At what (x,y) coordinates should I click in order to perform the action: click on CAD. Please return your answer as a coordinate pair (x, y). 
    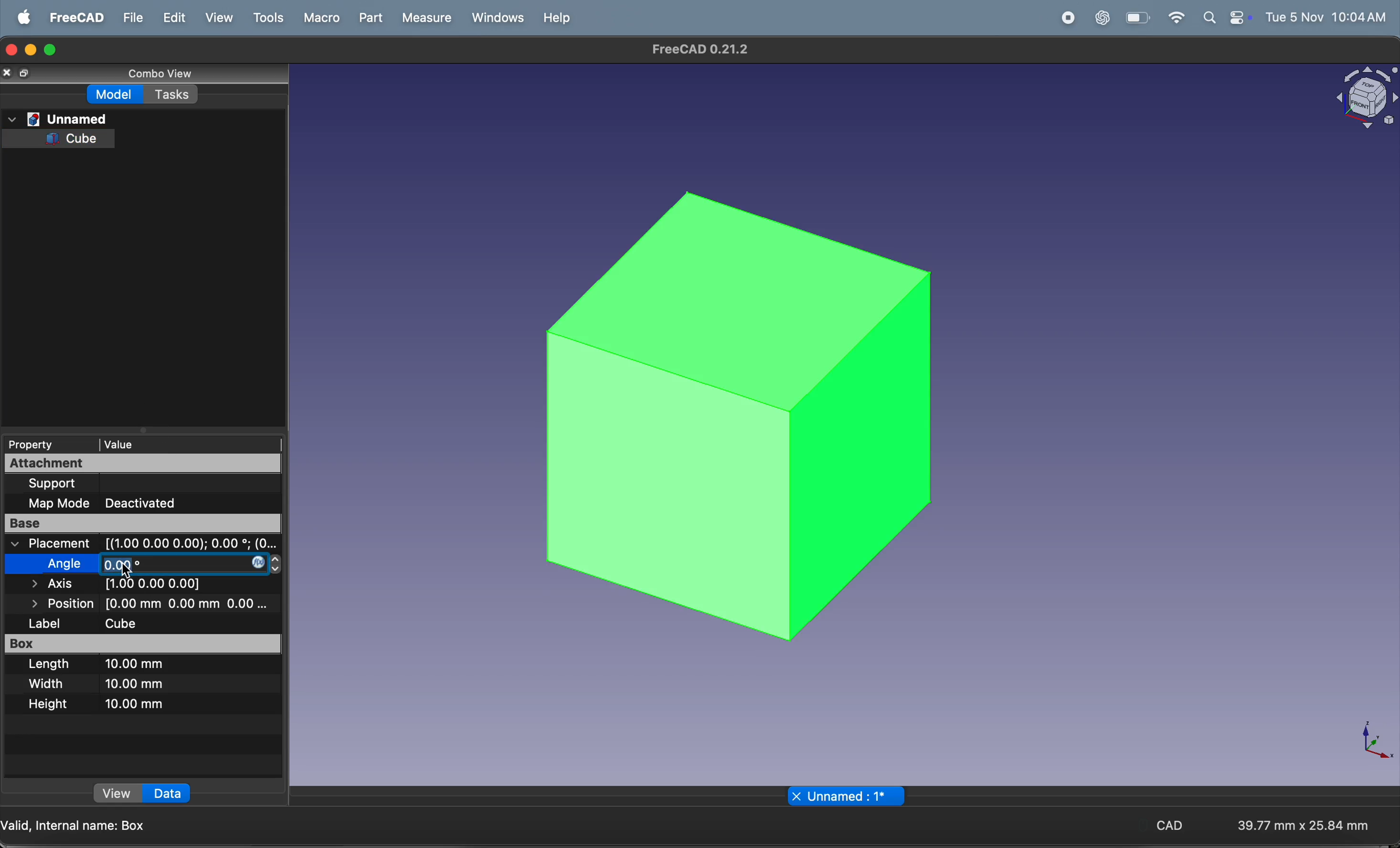
    Looking at the image, I should click on (1164, 825).